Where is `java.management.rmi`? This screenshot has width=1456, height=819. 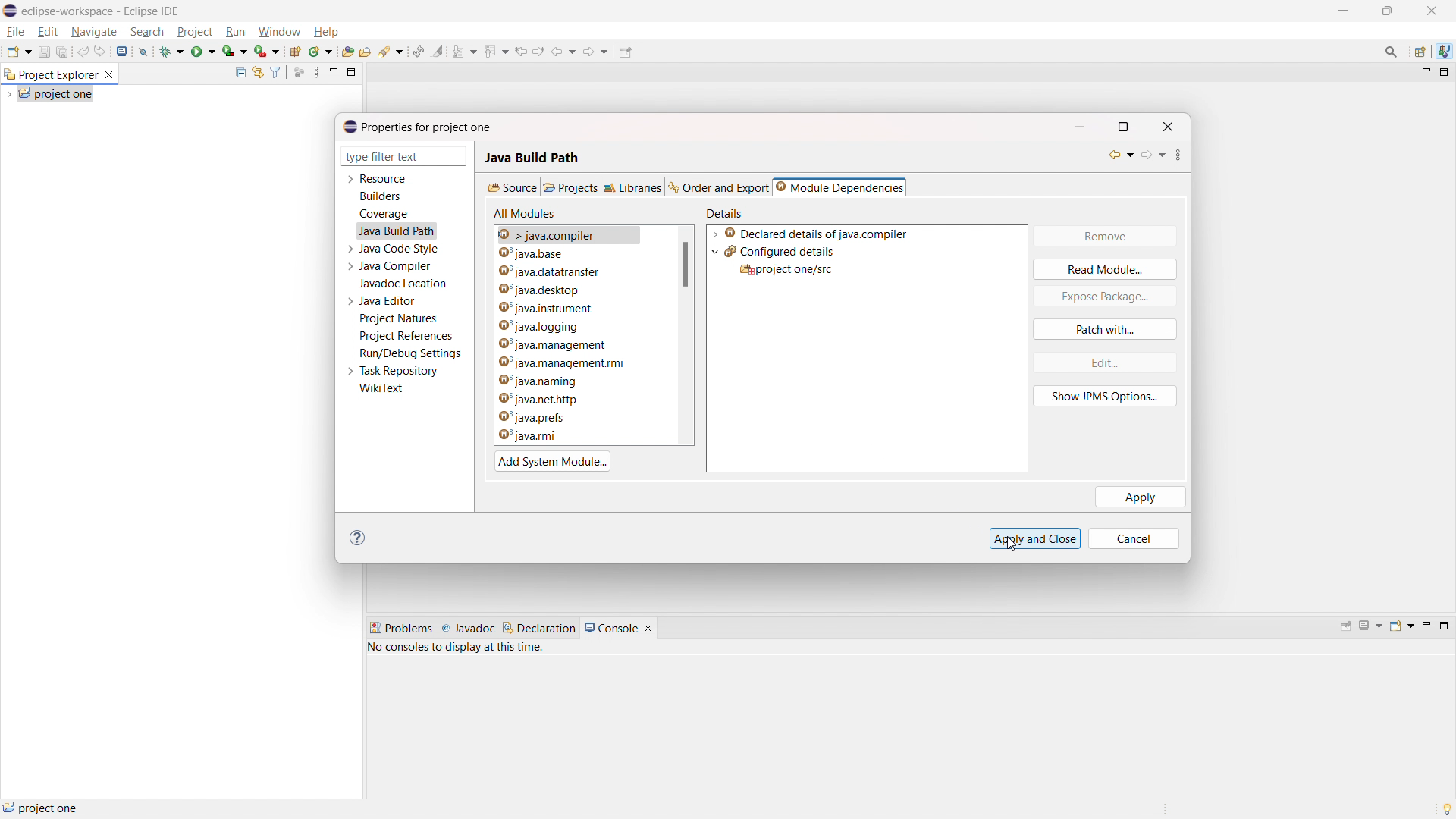
java.management.rmi is located at coordinates (568, 365).